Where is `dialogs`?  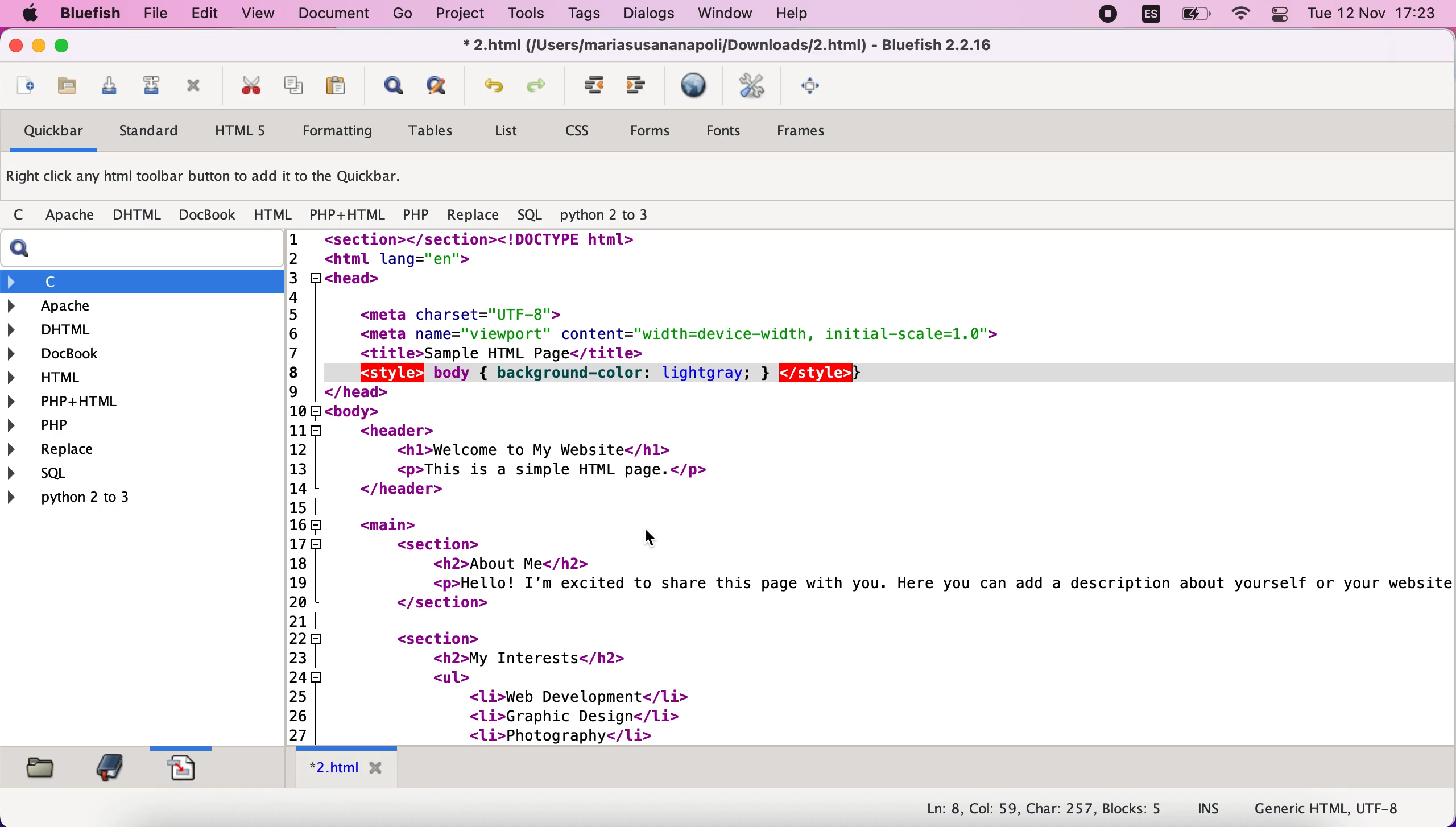
dialogs is located at coordinates (648, 15).